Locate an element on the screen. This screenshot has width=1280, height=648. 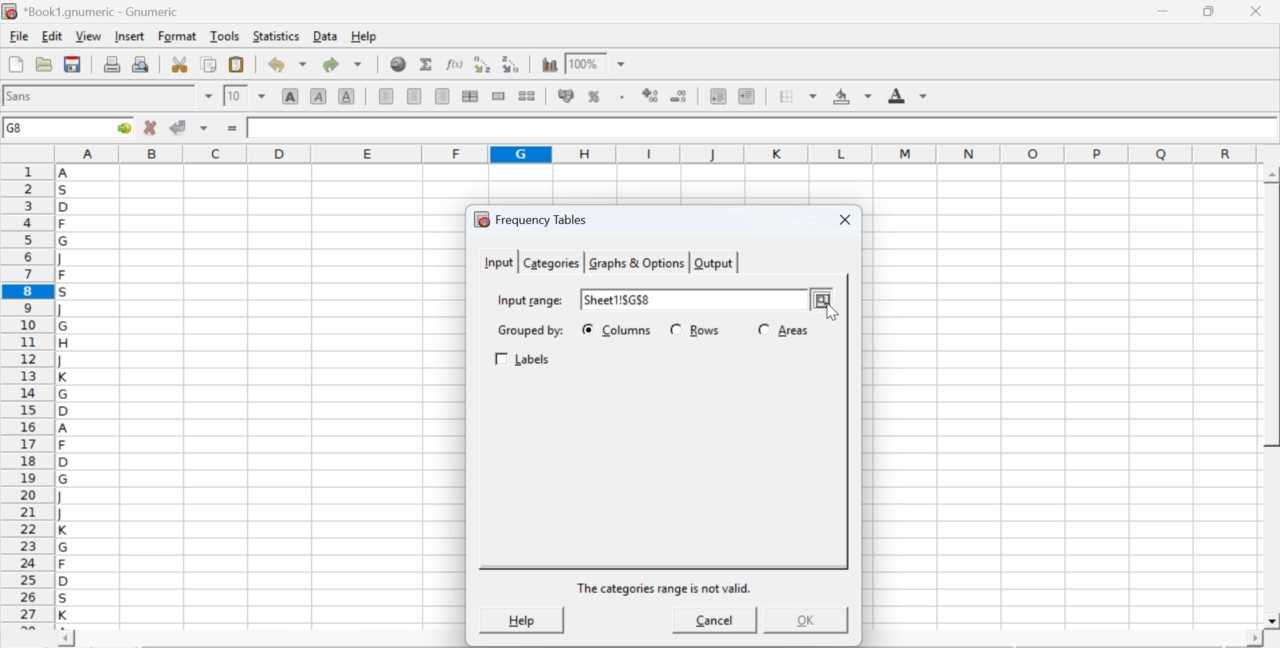
split merged ranges of cells is located at coordinates (526, 95).